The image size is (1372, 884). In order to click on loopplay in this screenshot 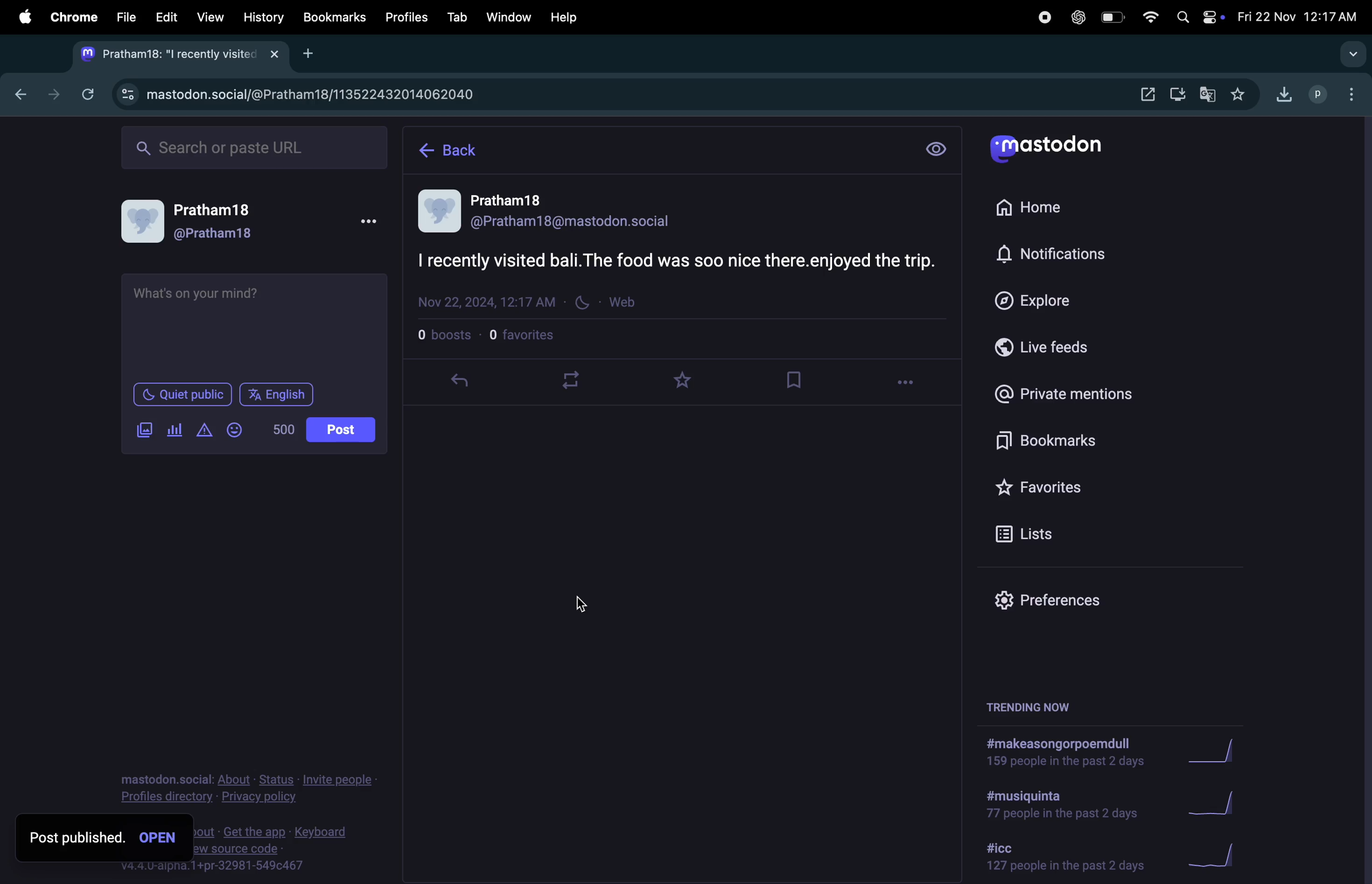, I will do `click(575, 379)`.